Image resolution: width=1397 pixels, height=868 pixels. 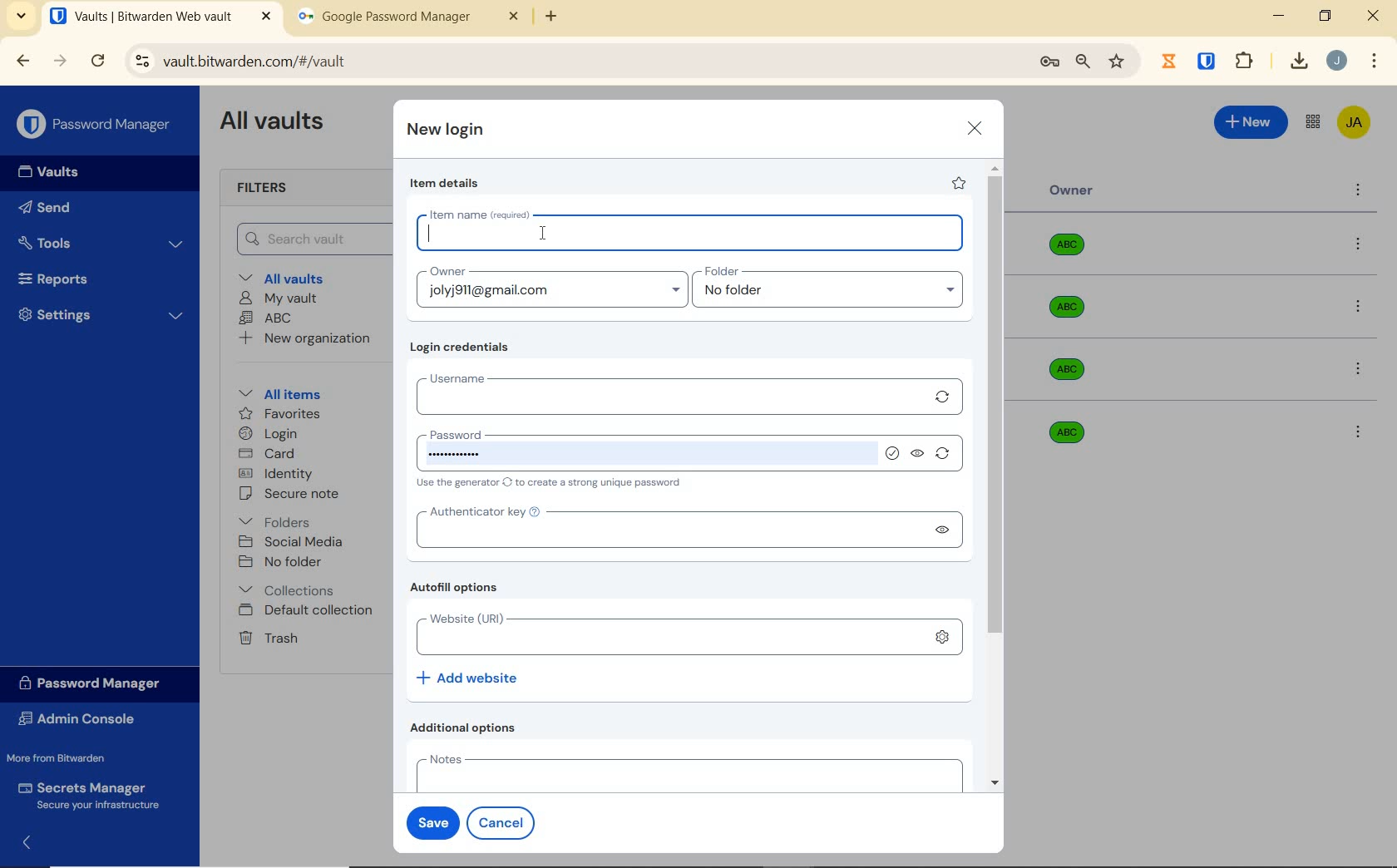 I want to click on close side bar, so click(x=39, y=846).